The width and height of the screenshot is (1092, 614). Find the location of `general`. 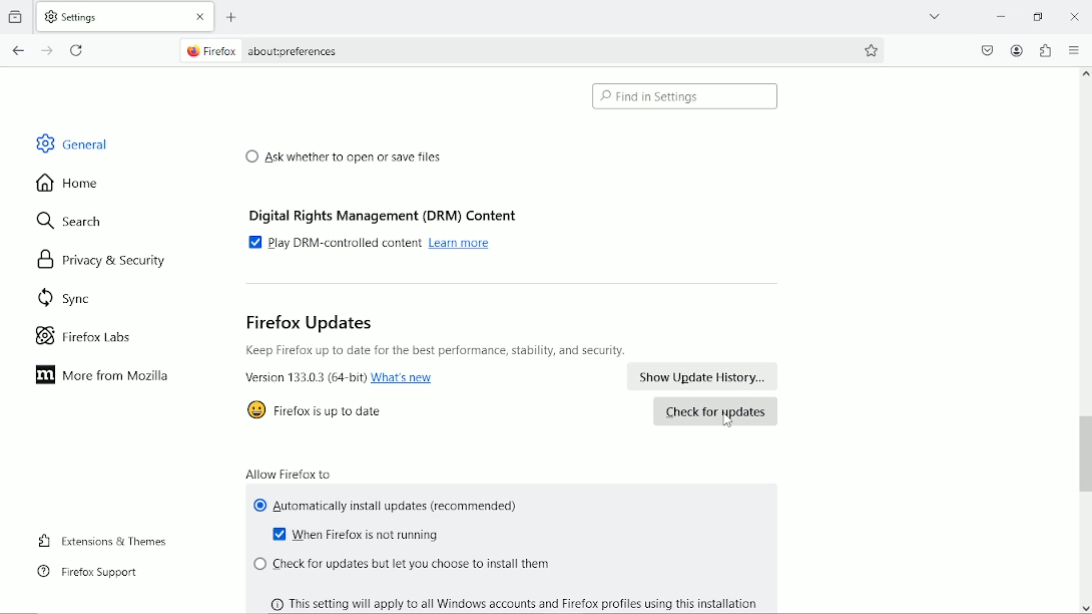

general is located at coordinates (71, 143).